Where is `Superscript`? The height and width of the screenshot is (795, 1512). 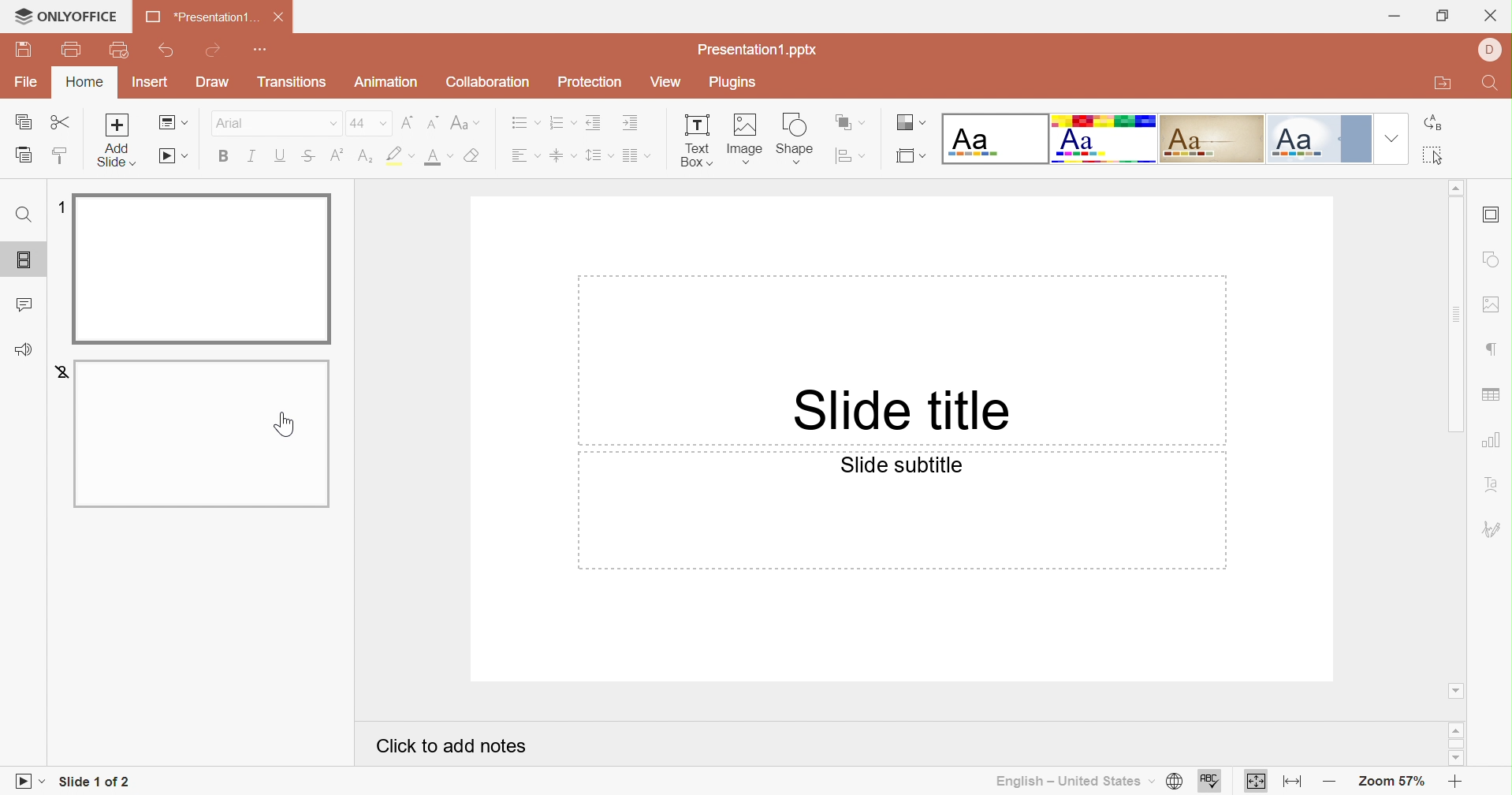 Superscript is located at coordinates (336, 155).